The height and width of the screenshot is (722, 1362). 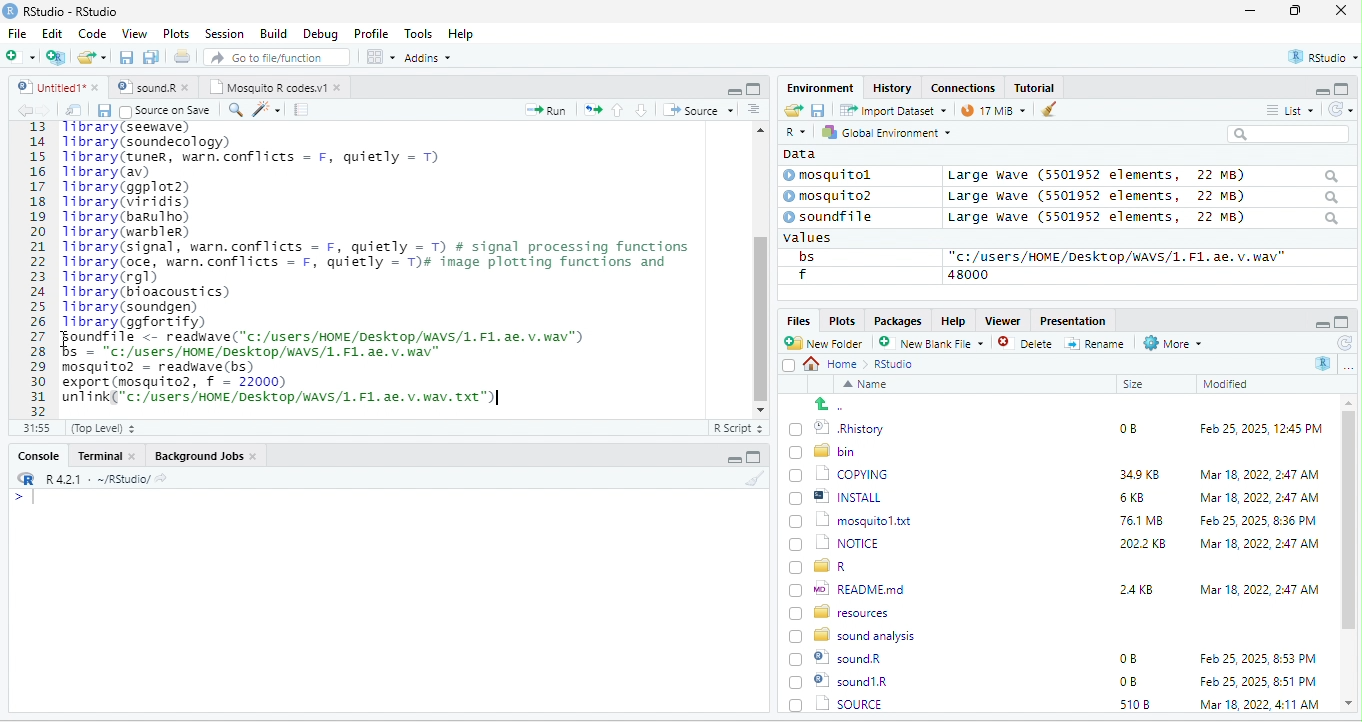 What do you see at coordinates (593, 108) in the screenshot?
I see `open` at bounding box center [593, 108].